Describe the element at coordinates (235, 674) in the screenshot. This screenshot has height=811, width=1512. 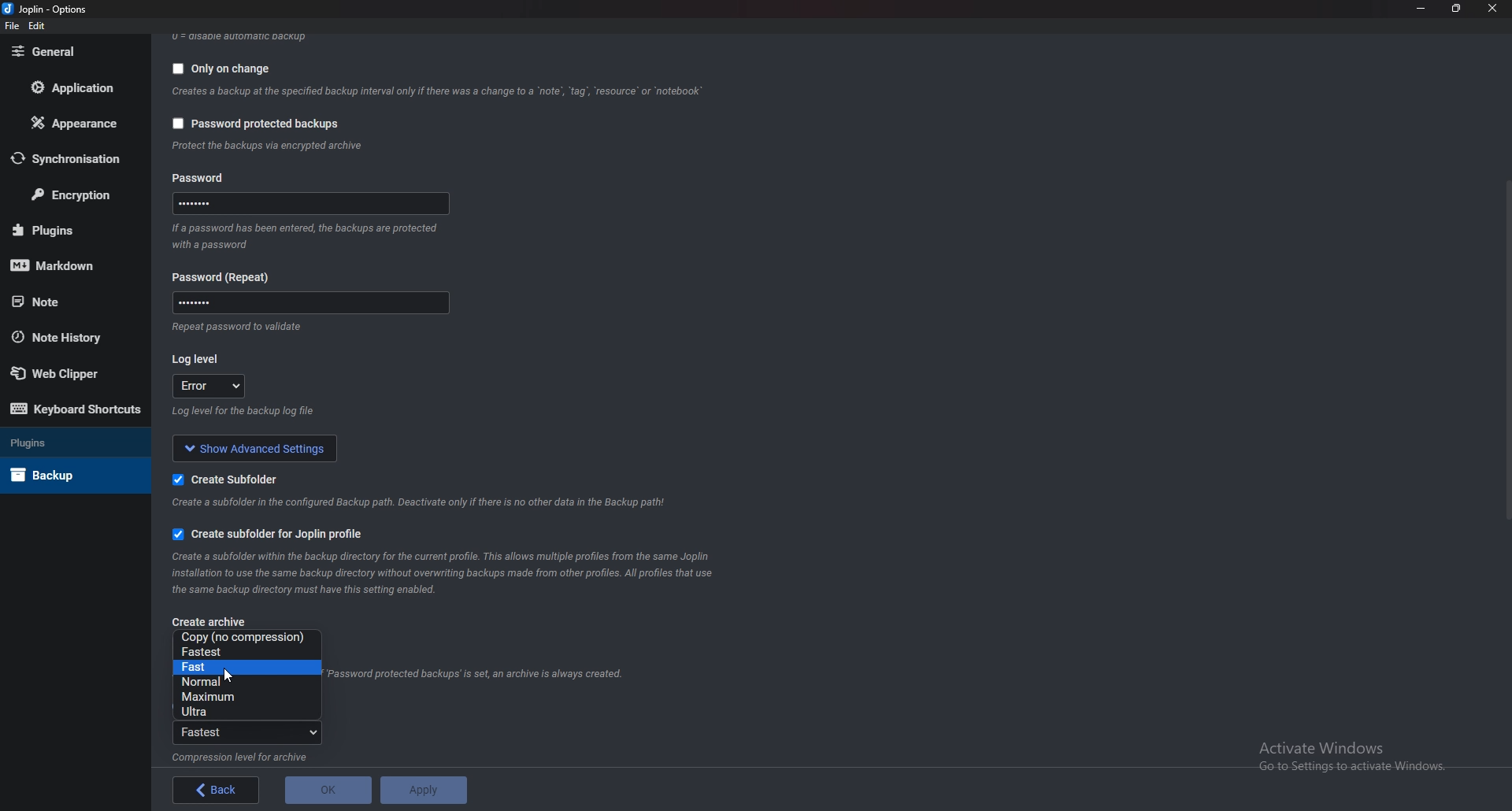
I see `cursor` at that location.